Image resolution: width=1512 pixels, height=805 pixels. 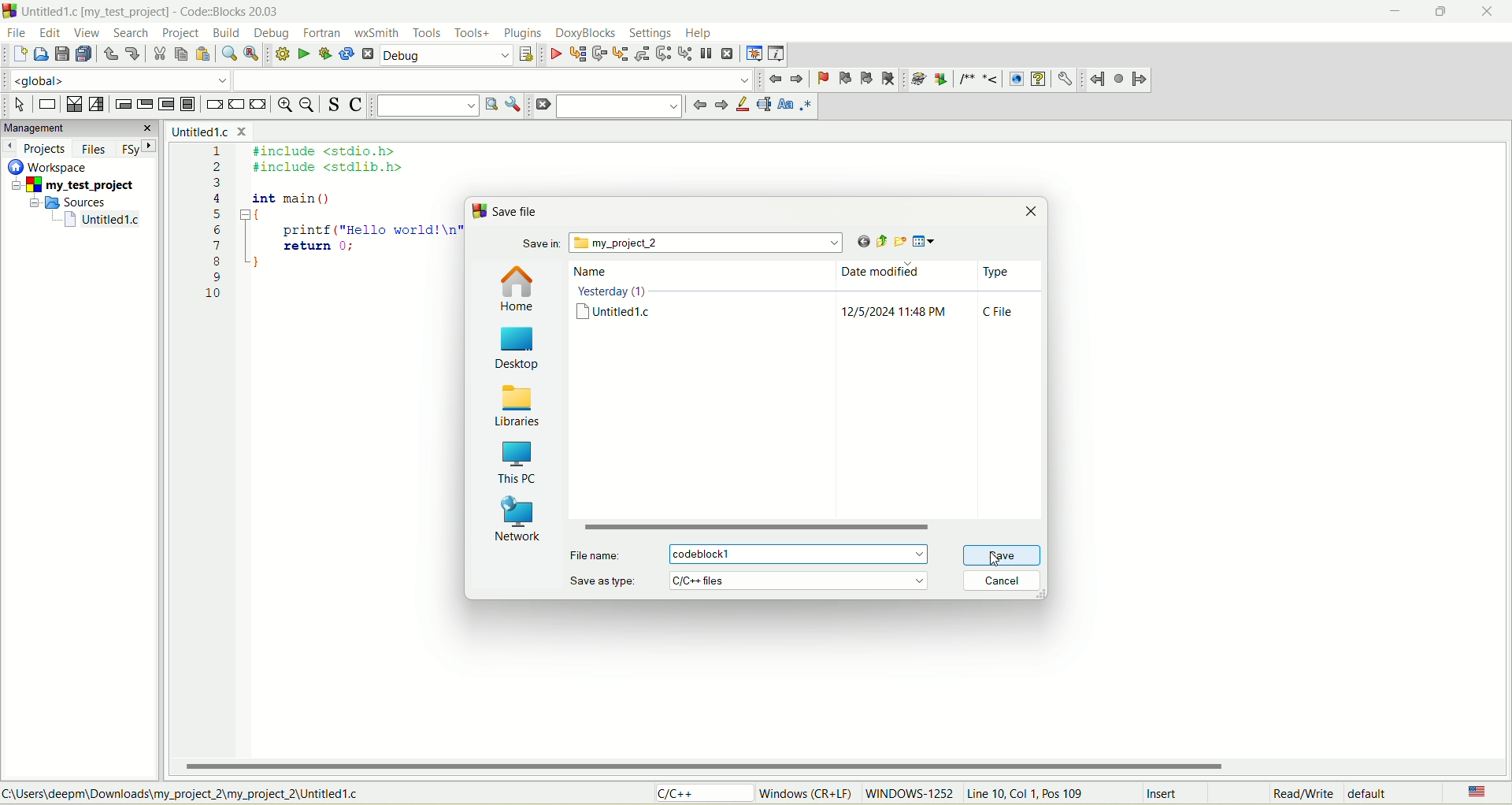 I want to click on scroll bar, so click(x=809, y=529).